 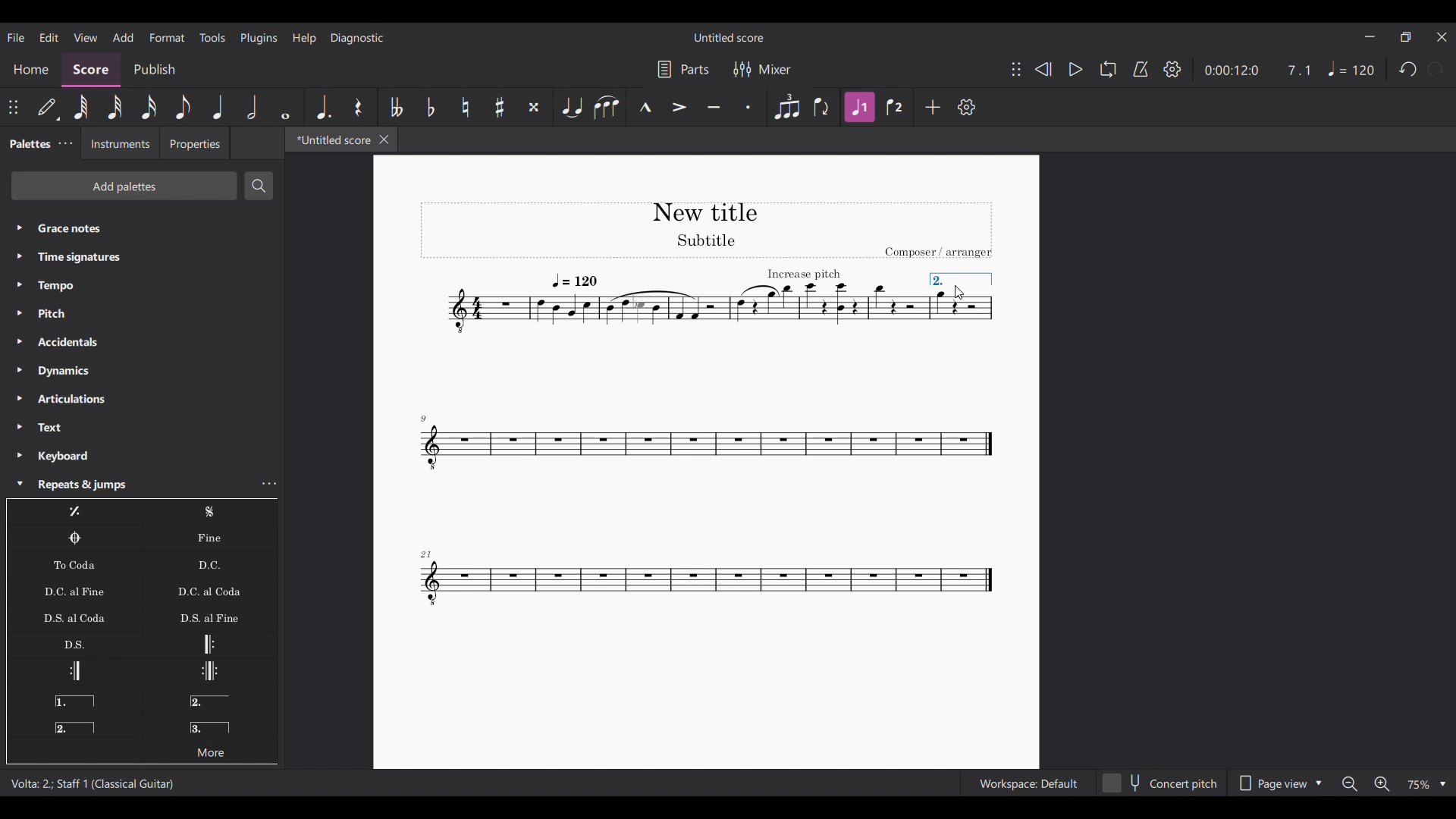 I want to click on D.C. al Coda, so click(x=210, y=591).